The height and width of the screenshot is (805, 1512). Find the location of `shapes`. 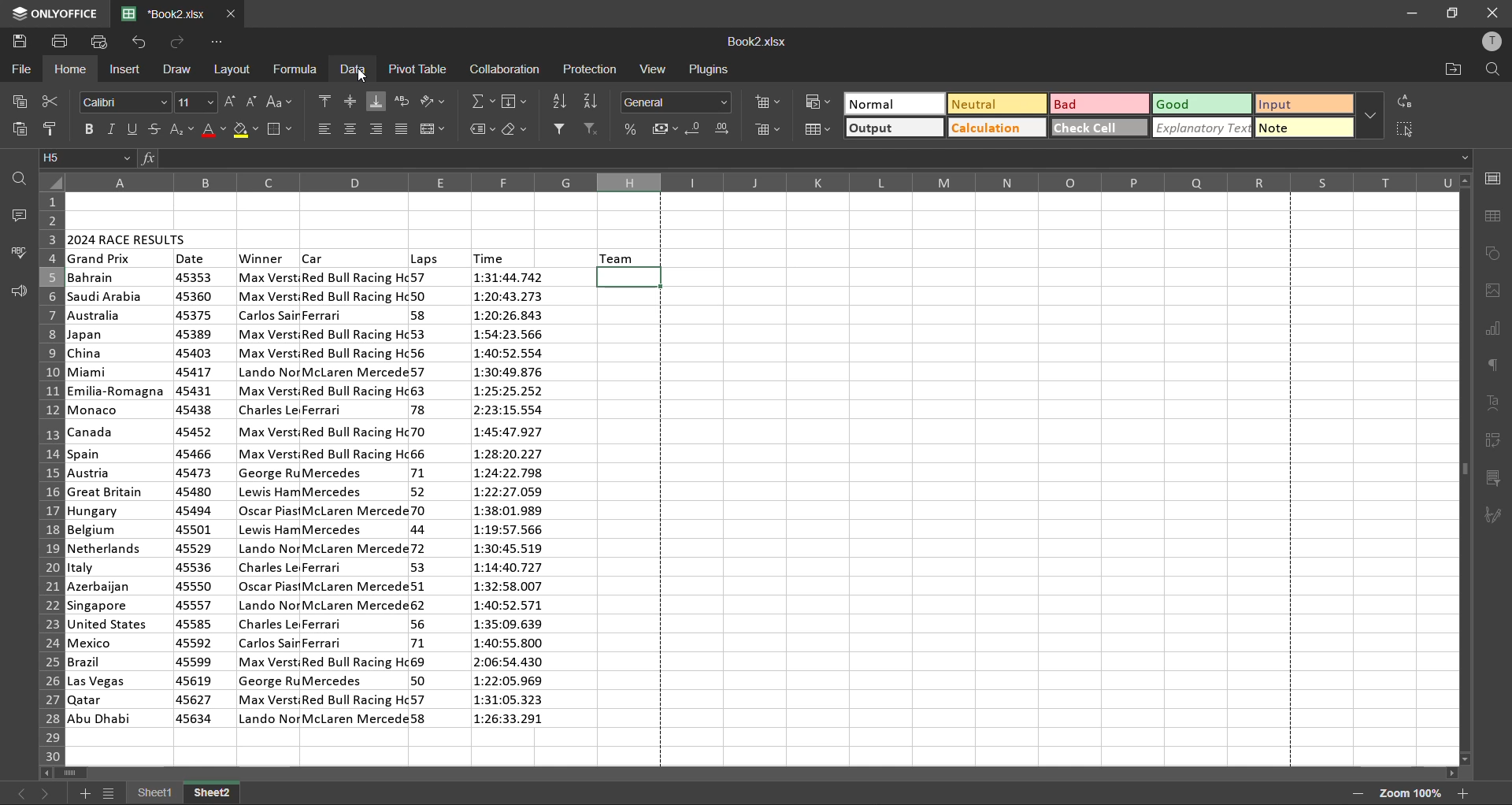

shapes is located at coordinates (1494, 254).